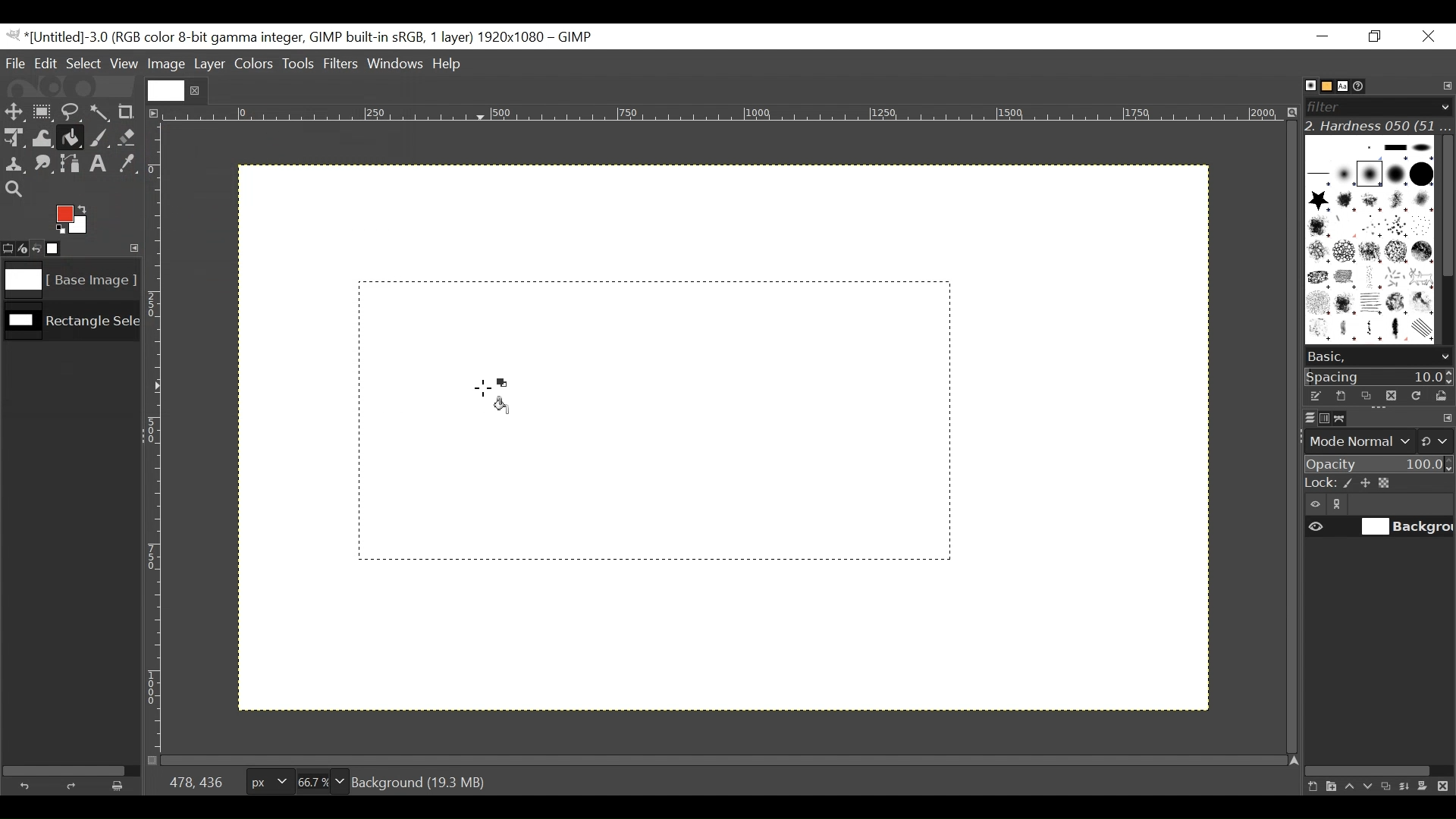 This screenshot has width=1456, height=819. What do you see at coordinates (99, 140) in the screenshot?
I see `Paintbrush tool` at bounding box center [99, 140].